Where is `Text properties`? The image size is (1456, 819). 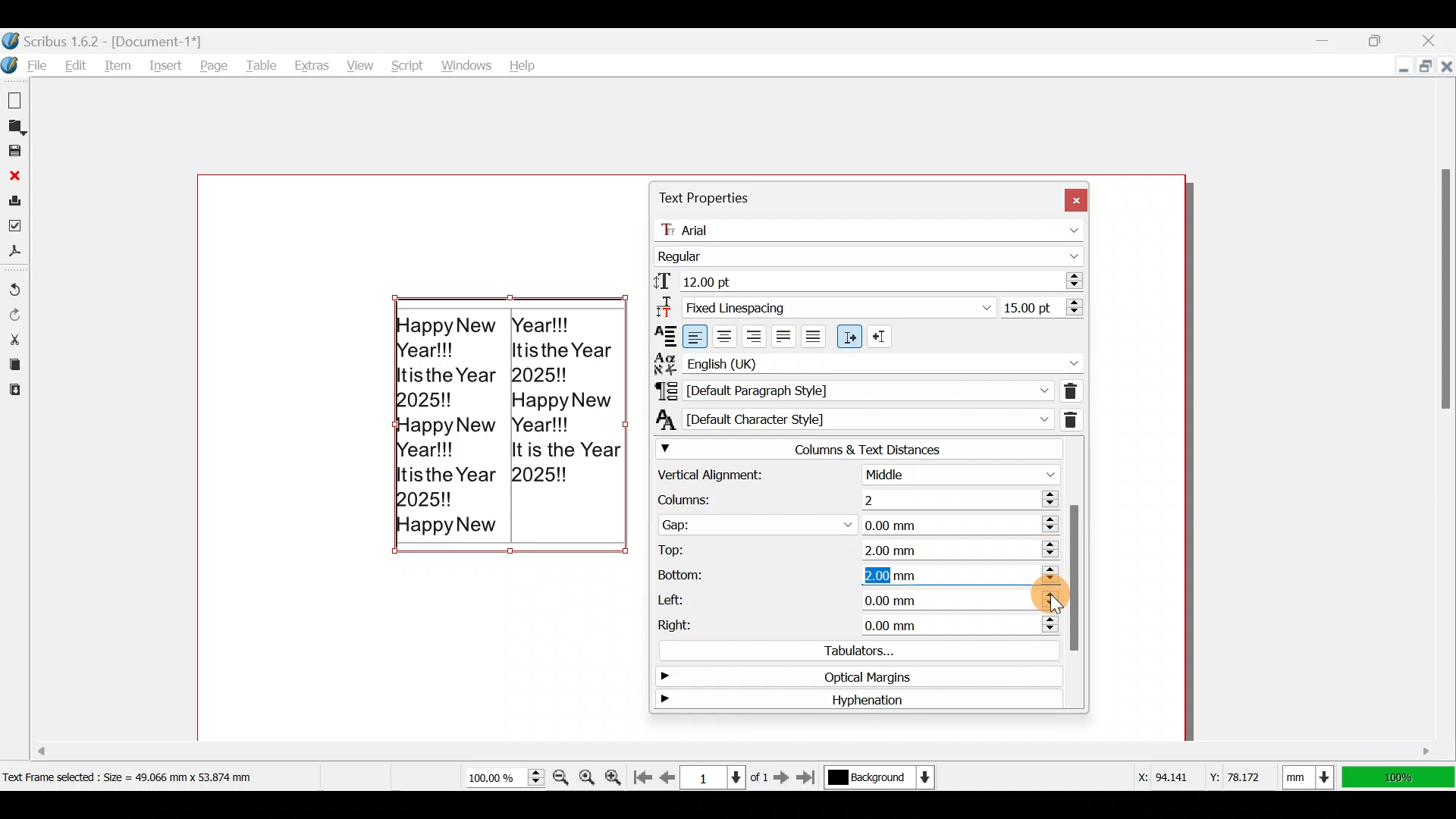 Text properties is located at coordinates (704, 198).